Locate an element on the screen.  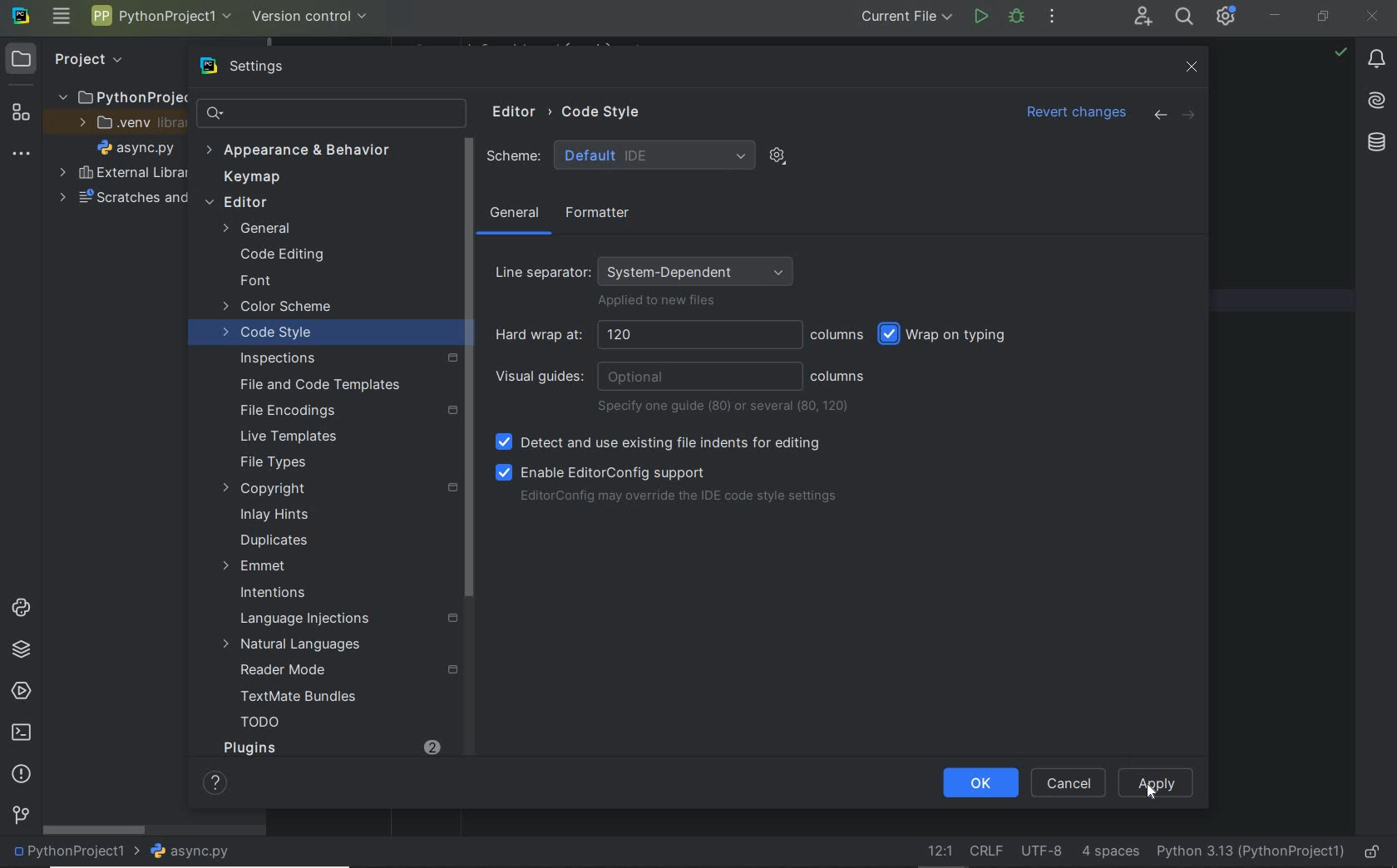
more tool windows is located at coordinates (22, 155).